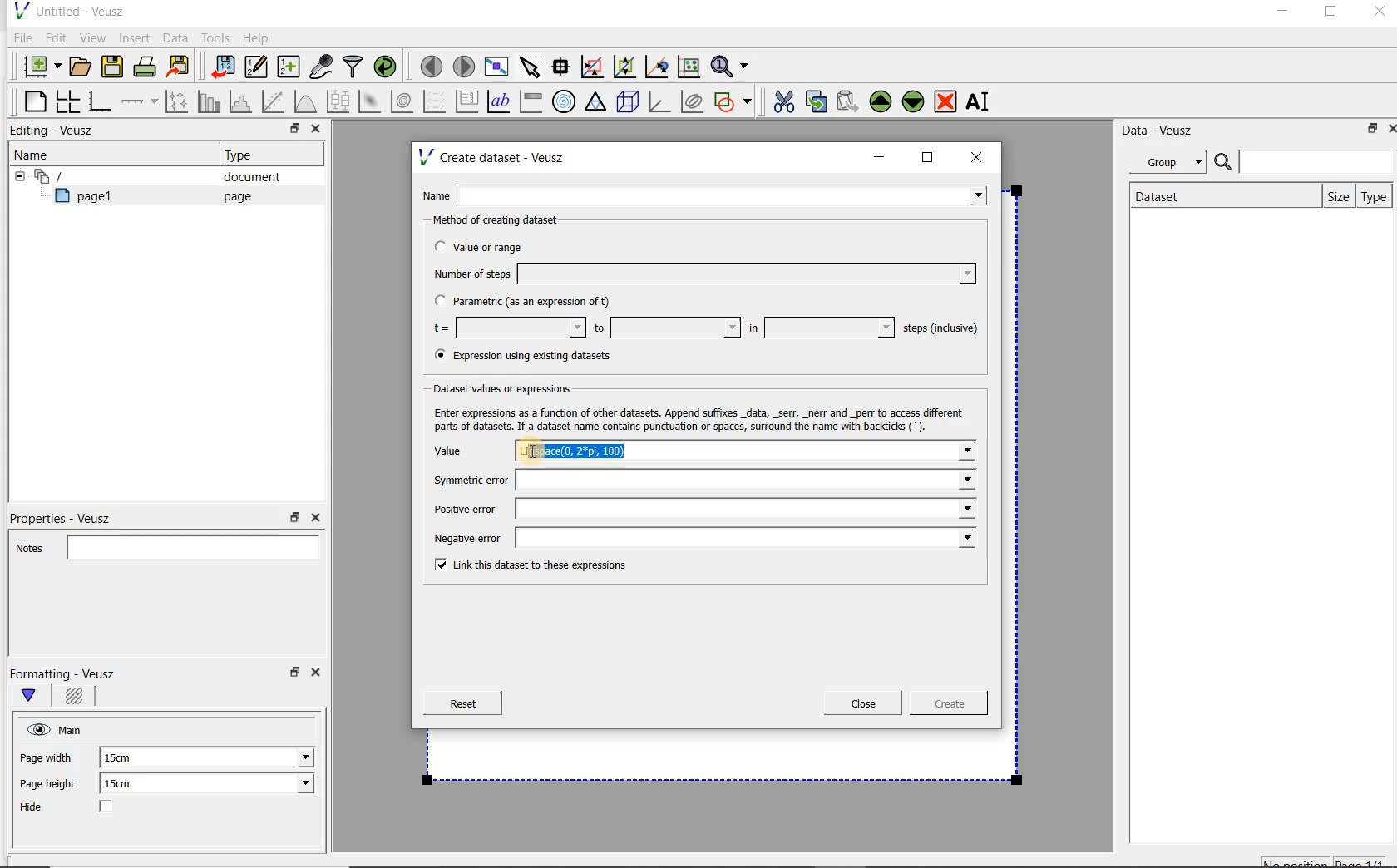 This screenshot has height=868, width=1397. I want to click on Page height dropdown, so click(294, 785).